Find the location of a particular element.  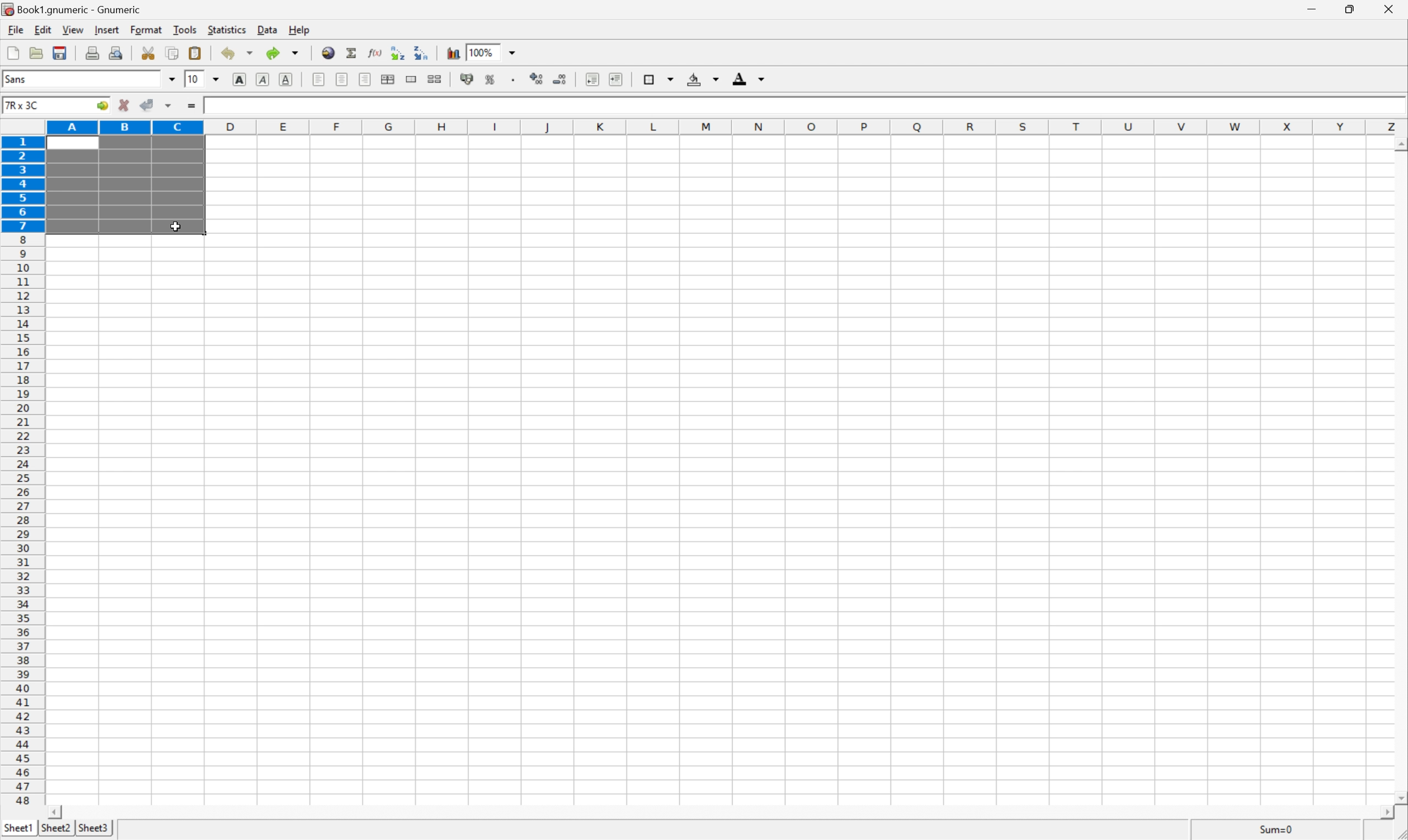

view is located at coordinates (71, 31).